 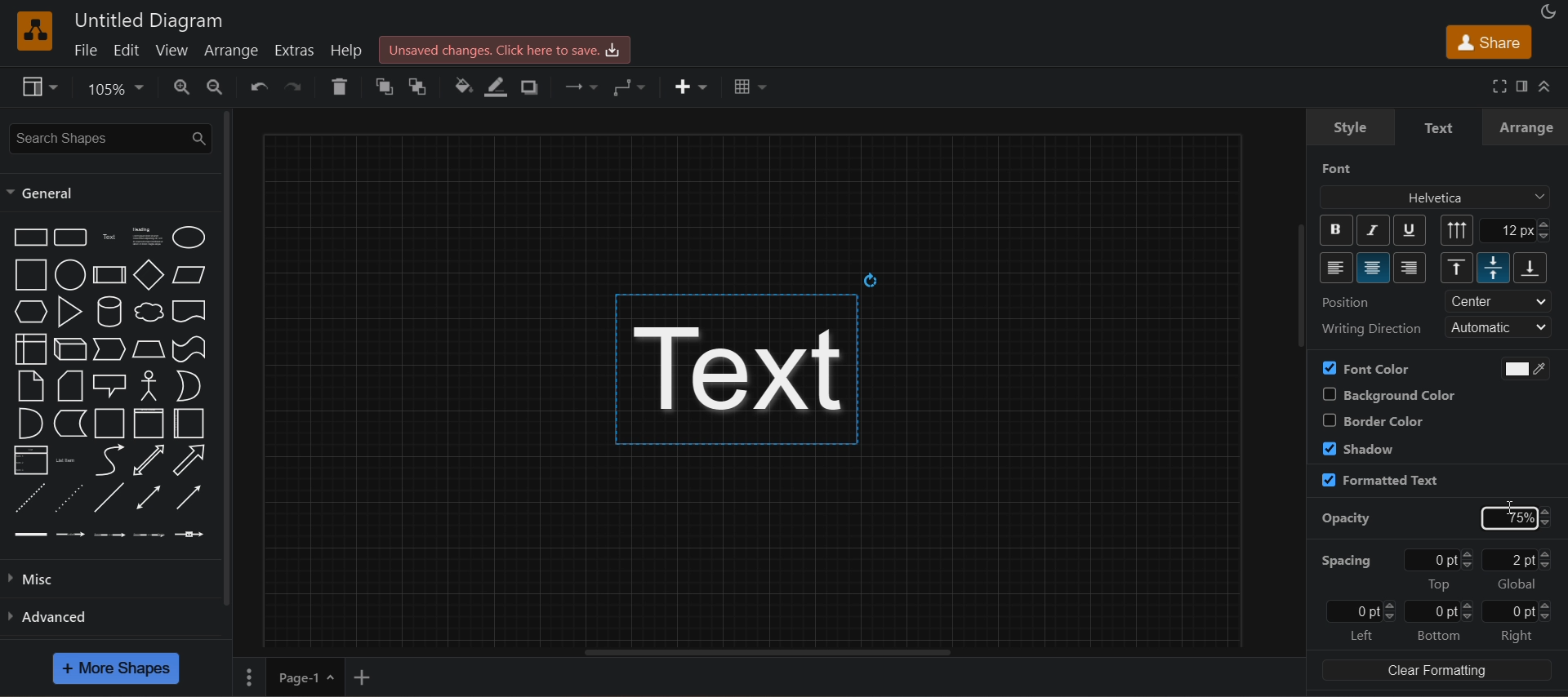 I want to click on use black and white, so click(x=1519, y=368).